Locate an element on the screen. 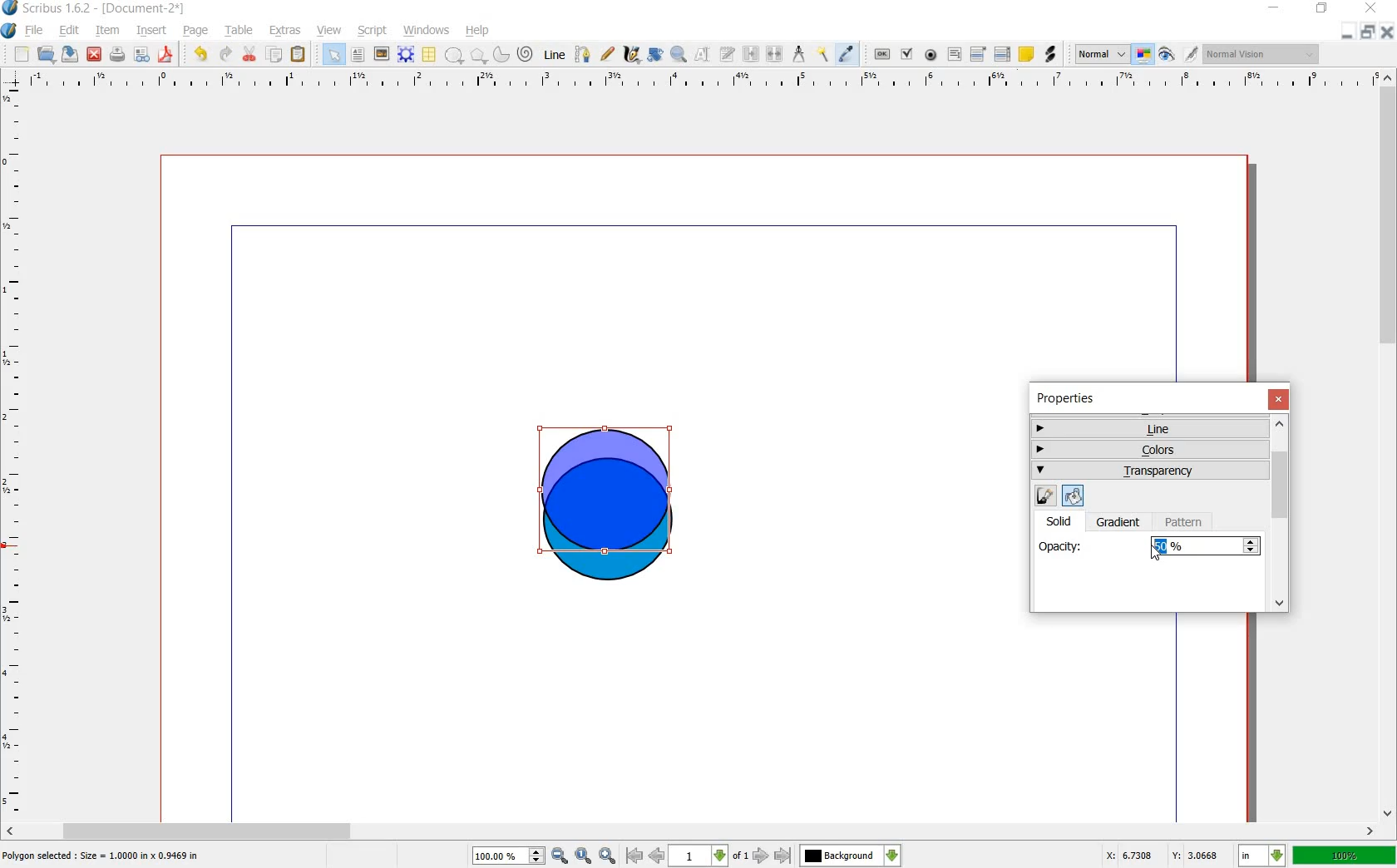 The image size is (1397, 868). line is located at coordinates (553, 56).